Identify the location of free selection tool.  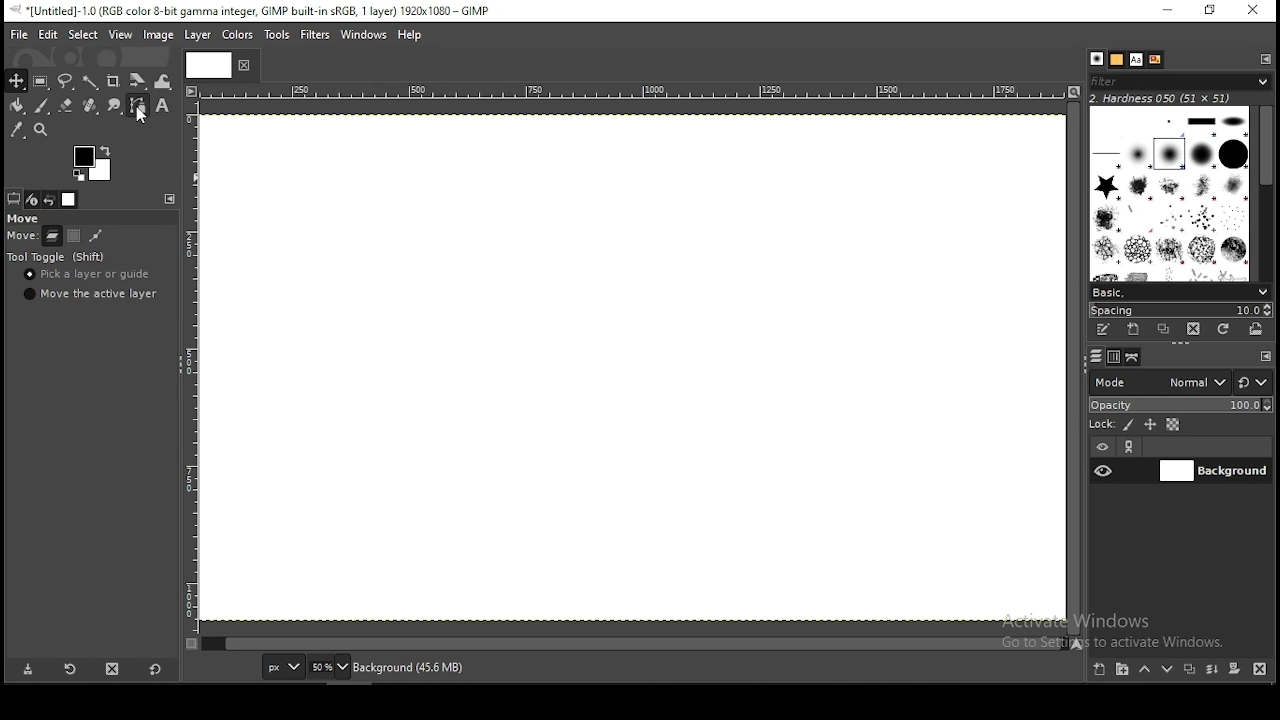
(66, 81).